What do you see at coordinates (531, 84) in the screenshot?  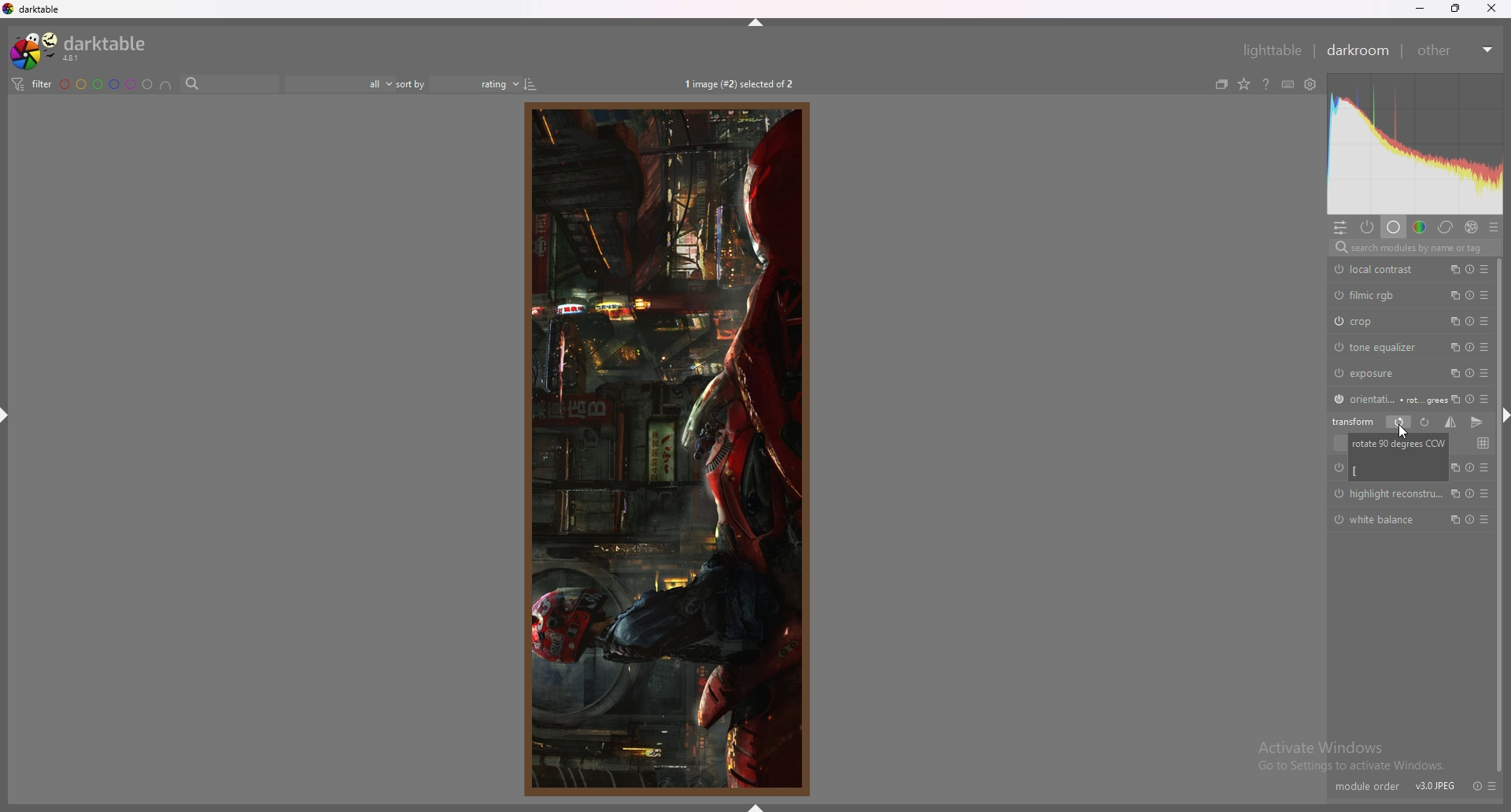 I see `reverse sort order` at bounding box center [531, 84].